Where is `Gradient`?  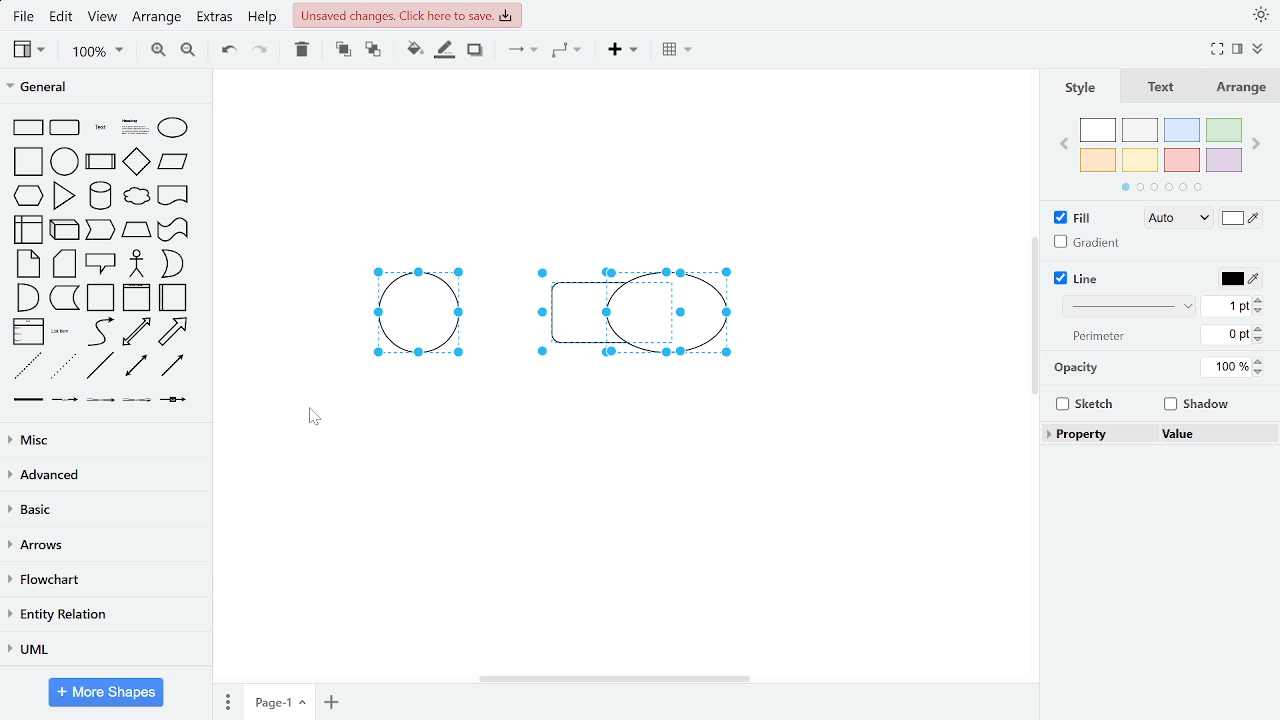 Gradient is located at coordinates (1083, 241).